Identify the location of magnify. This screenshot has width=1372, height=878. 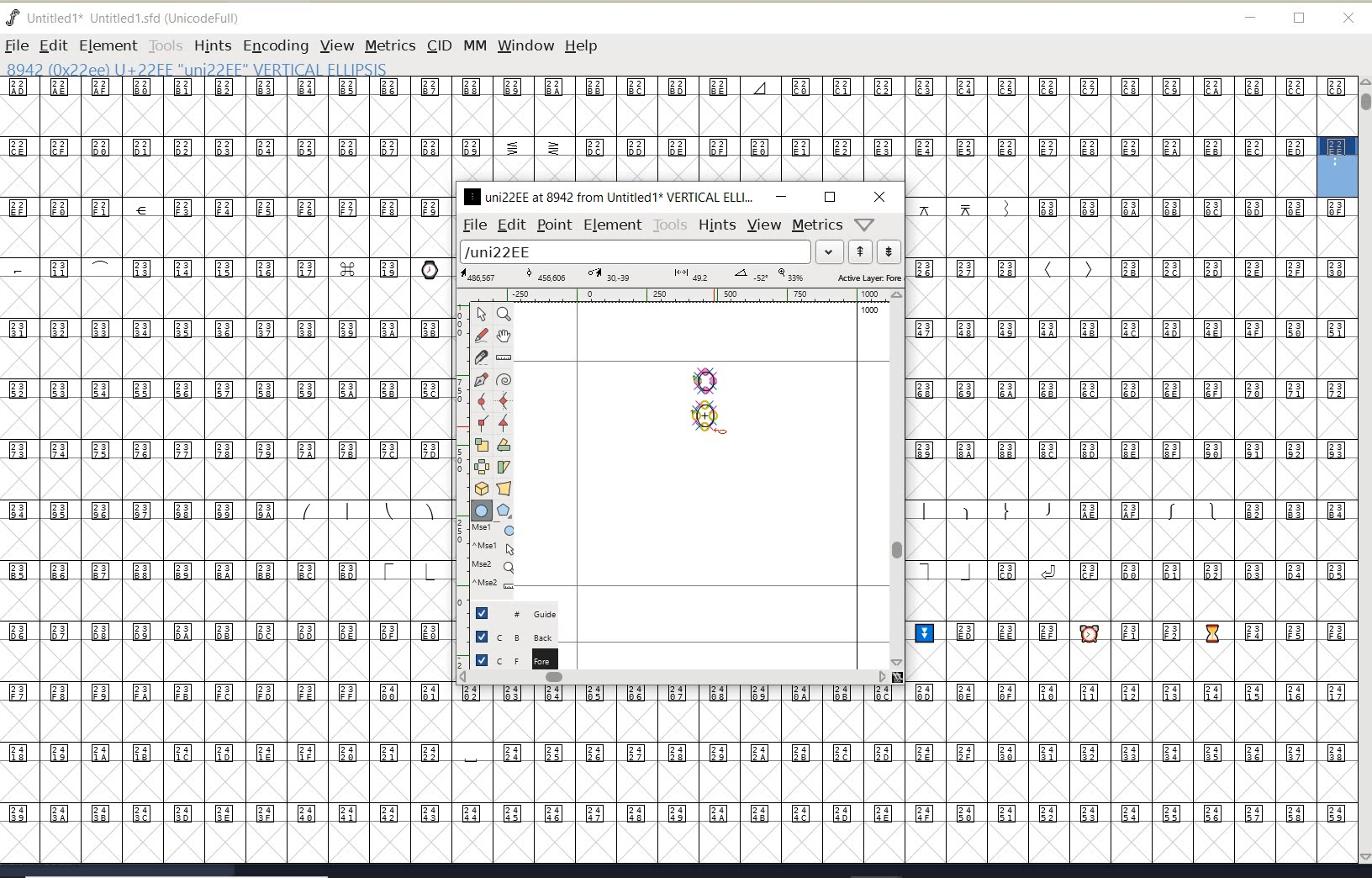
(504, 314).